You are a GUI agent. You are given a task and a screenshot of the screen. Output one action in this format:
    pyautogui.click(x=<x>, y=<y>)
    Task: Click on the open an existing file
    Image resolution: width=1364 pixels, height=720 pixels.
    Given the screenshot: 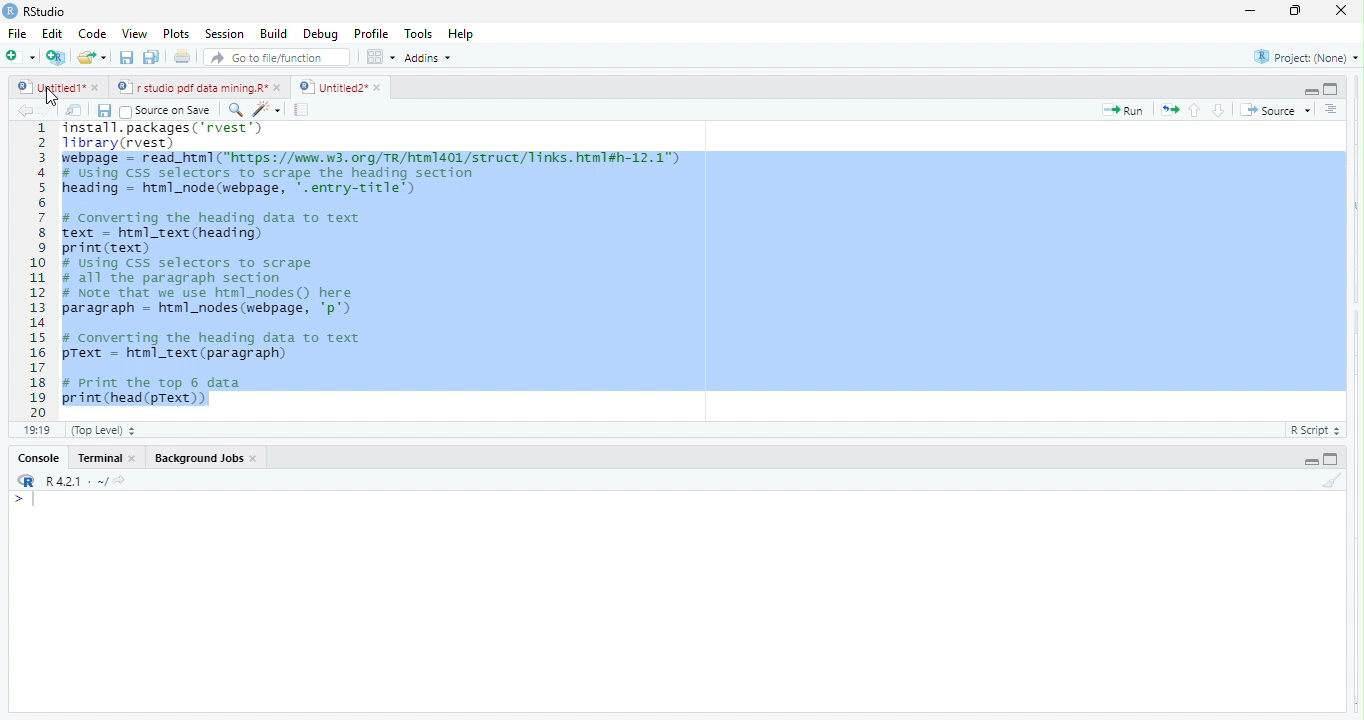 What is the action you would take?
    pyautogui.click(x=93, y=56)
    